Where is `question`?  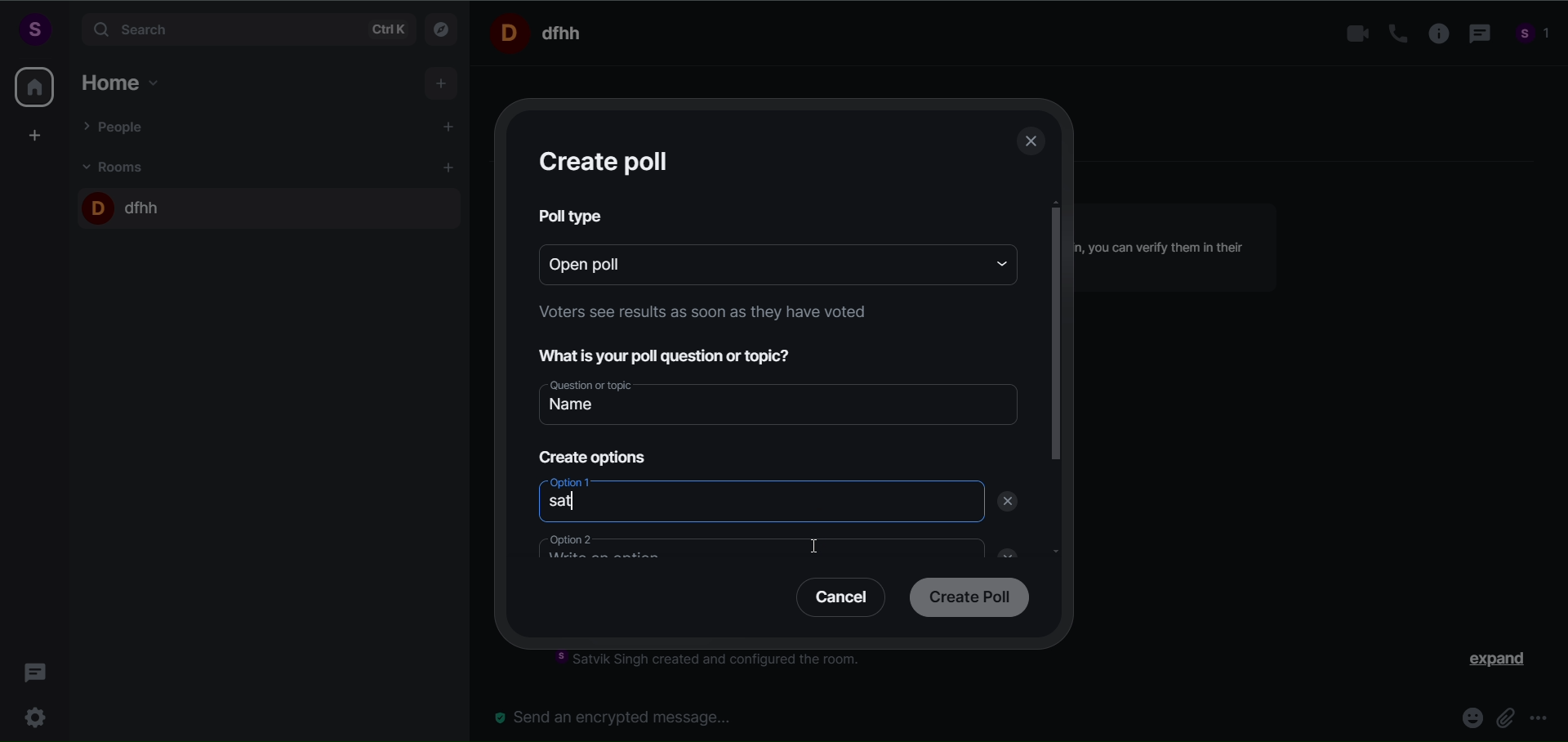
question is located at coordinates (676, 354).